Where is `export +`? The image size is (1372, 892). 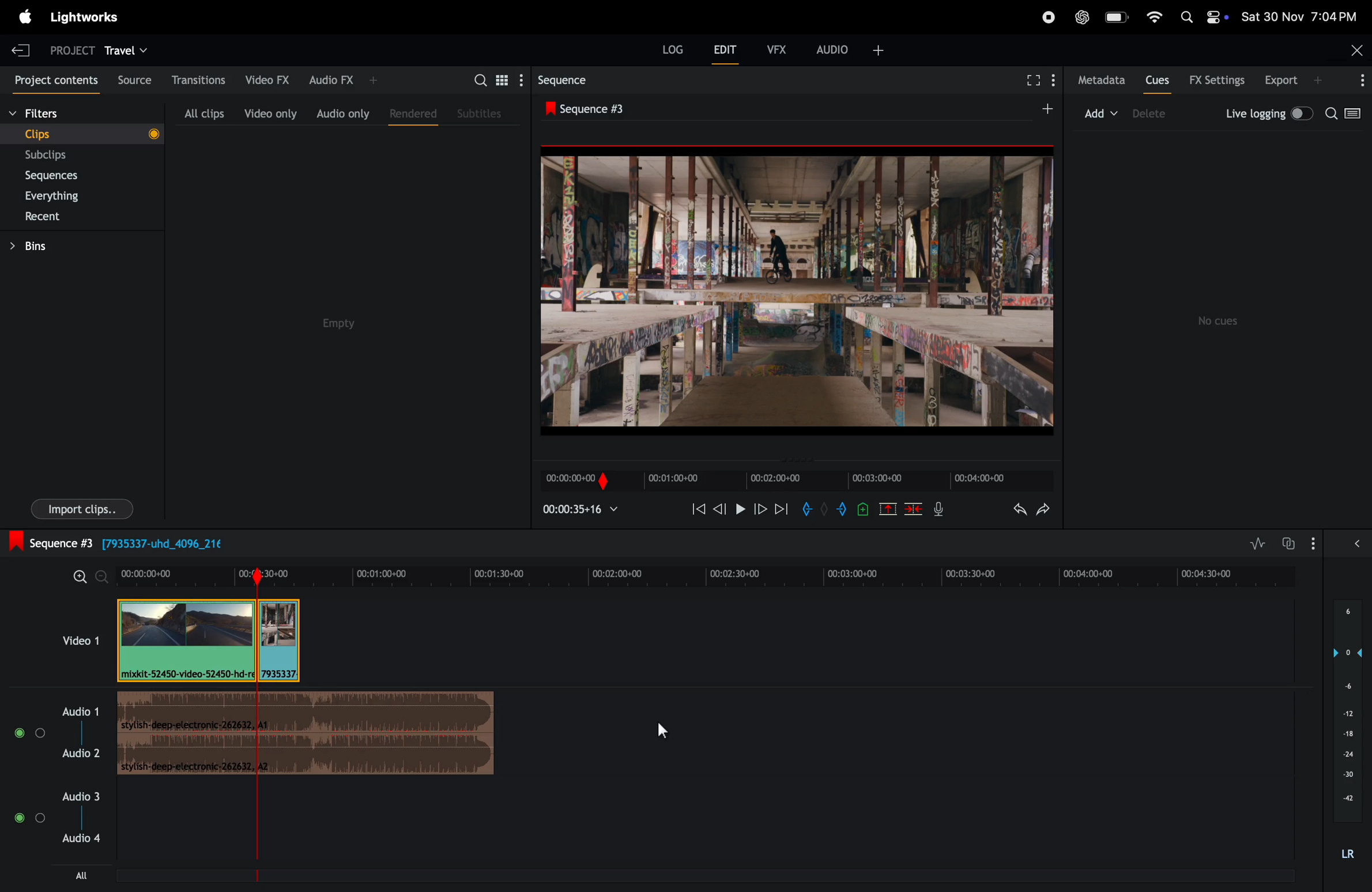 export + is located at coordinates (1295, 81).